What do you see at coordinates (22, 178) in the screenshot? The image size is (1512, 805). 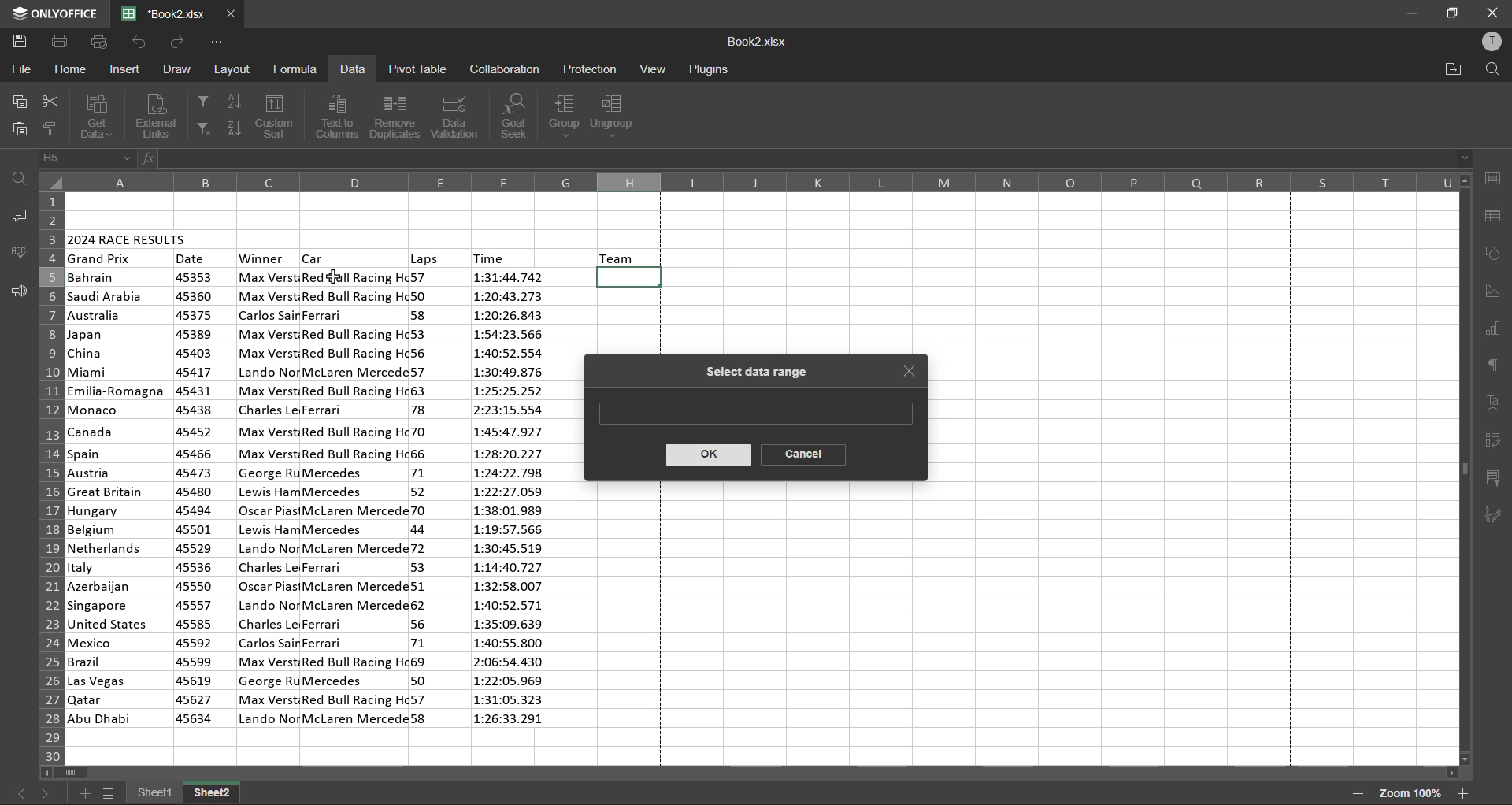 I see `find` at bounding box center [22, 178].